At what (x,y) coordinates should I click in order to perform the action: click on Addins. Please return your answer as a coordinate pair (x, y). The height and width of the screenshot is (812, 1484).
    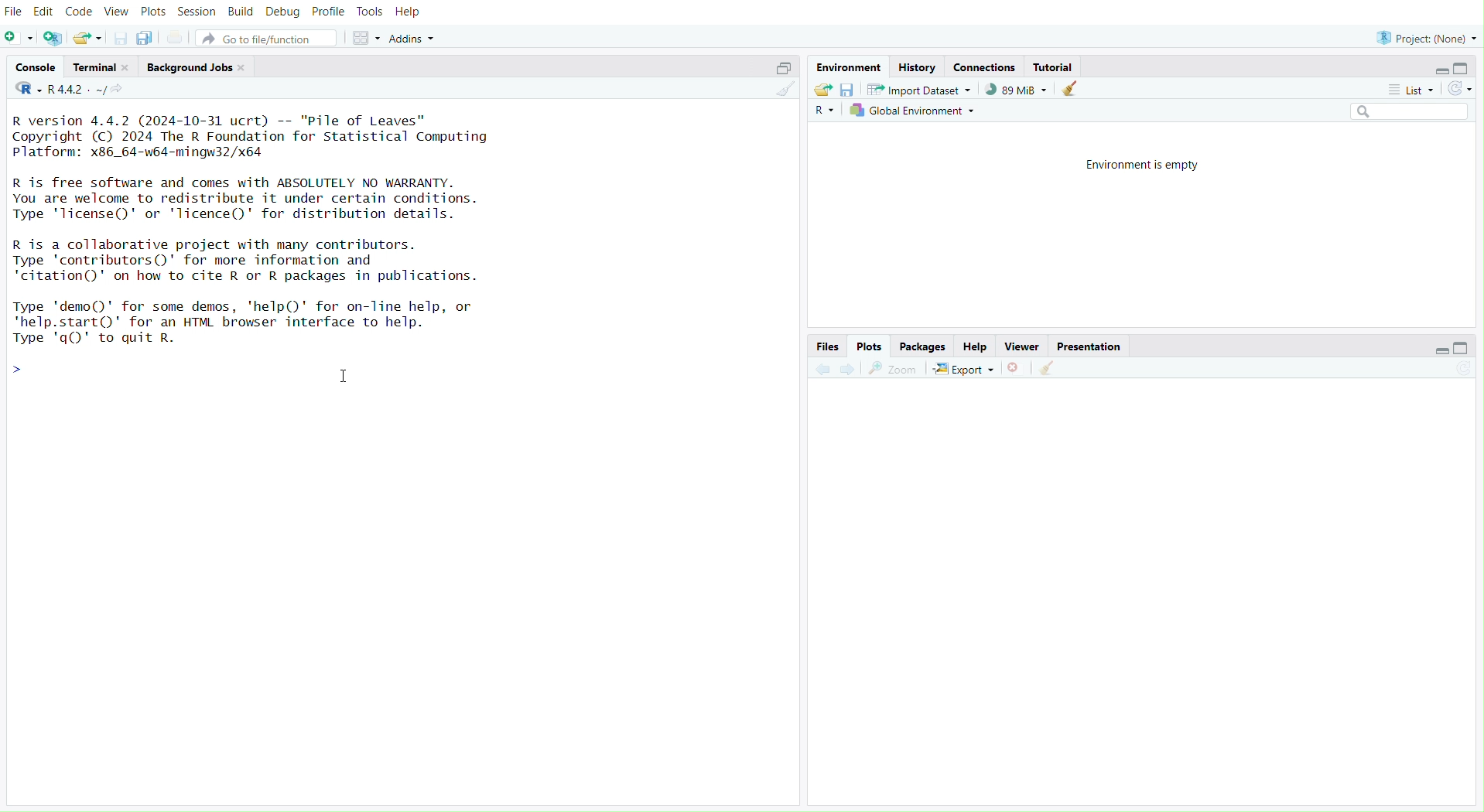
    Looking at the image, I should click on (412, 36).